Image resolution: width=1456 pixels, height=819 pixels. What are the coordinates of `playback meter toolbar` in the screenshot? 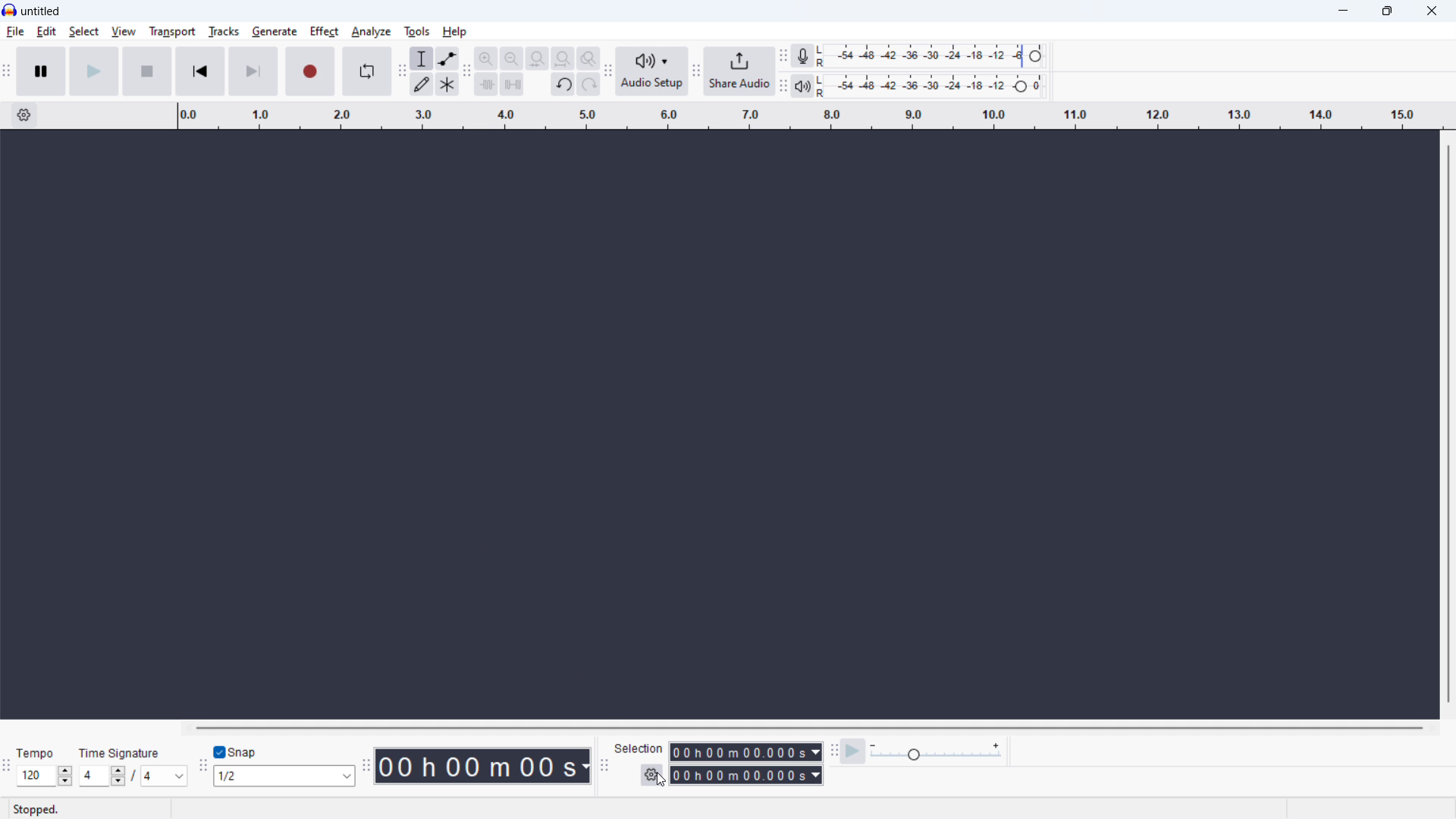 It's located at (782, 86).